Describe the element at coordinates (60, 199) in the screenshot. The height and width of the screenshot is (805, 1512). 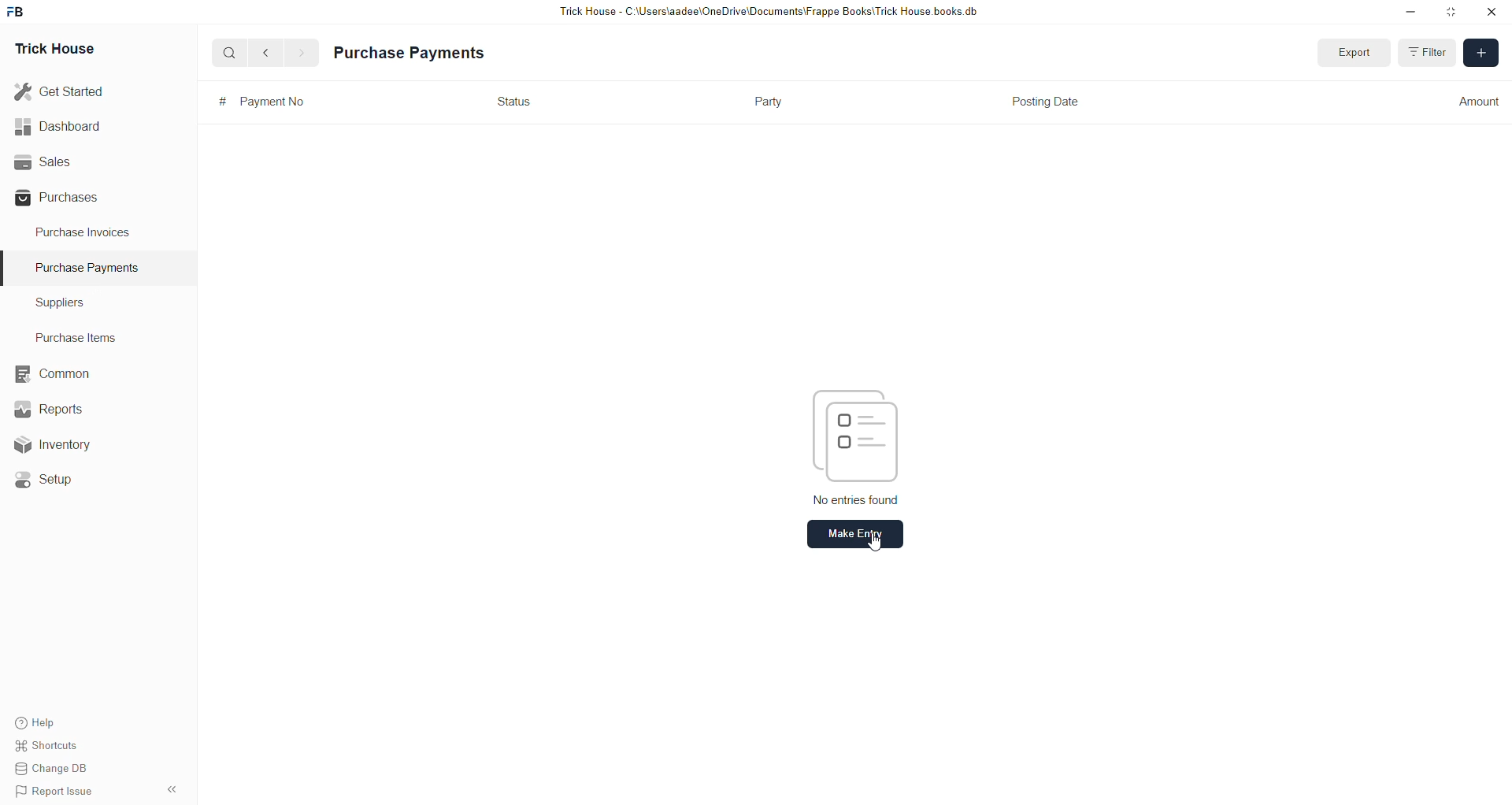
I see `Purchases` at that location.